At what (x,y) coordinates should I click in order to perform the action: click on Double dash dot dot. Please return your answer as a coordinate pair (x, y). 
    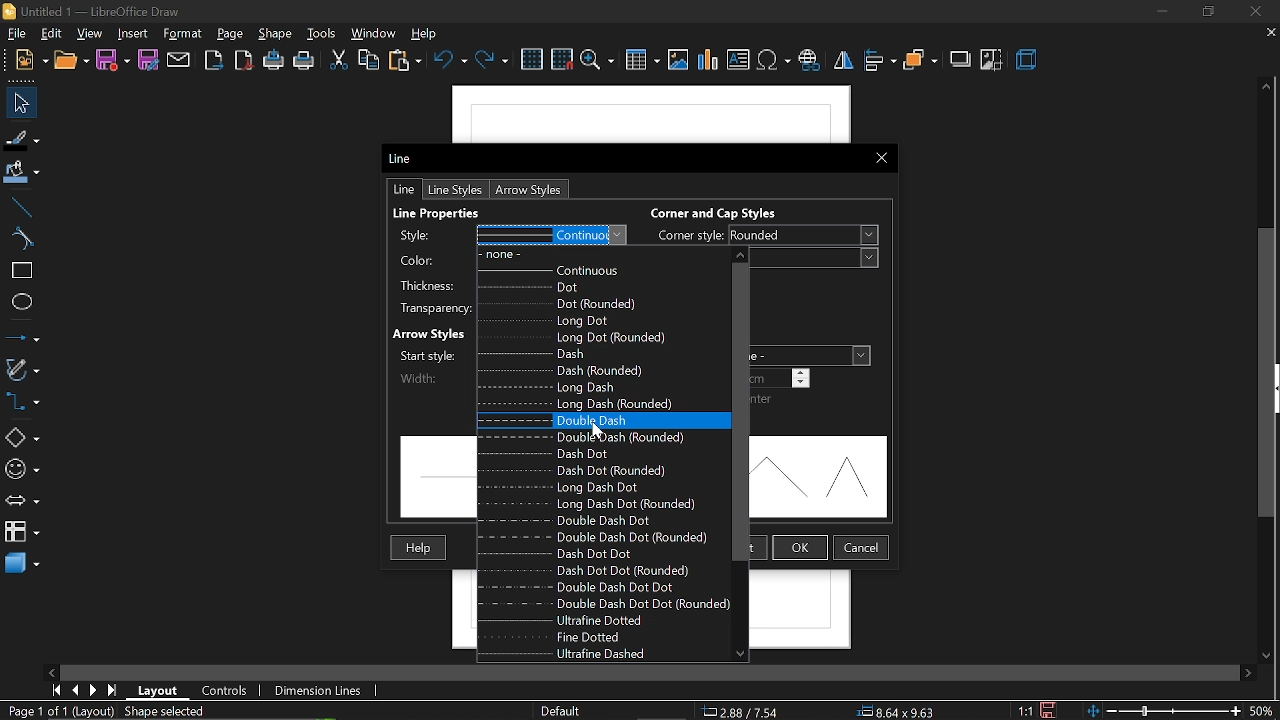
    Looking at the image, I should click on (596, 586).